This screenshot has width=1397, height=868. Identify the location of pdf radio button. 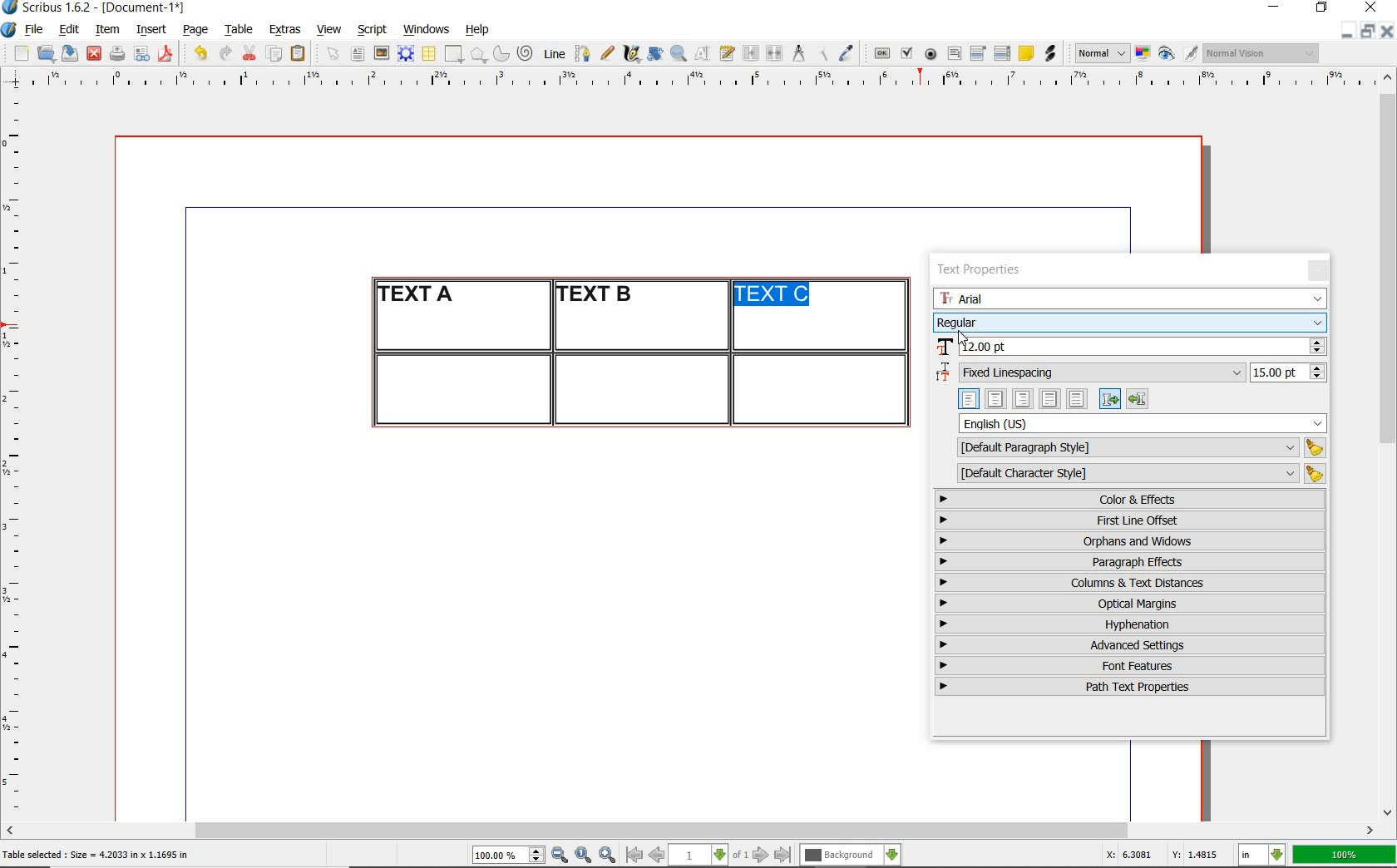
(931, 56).